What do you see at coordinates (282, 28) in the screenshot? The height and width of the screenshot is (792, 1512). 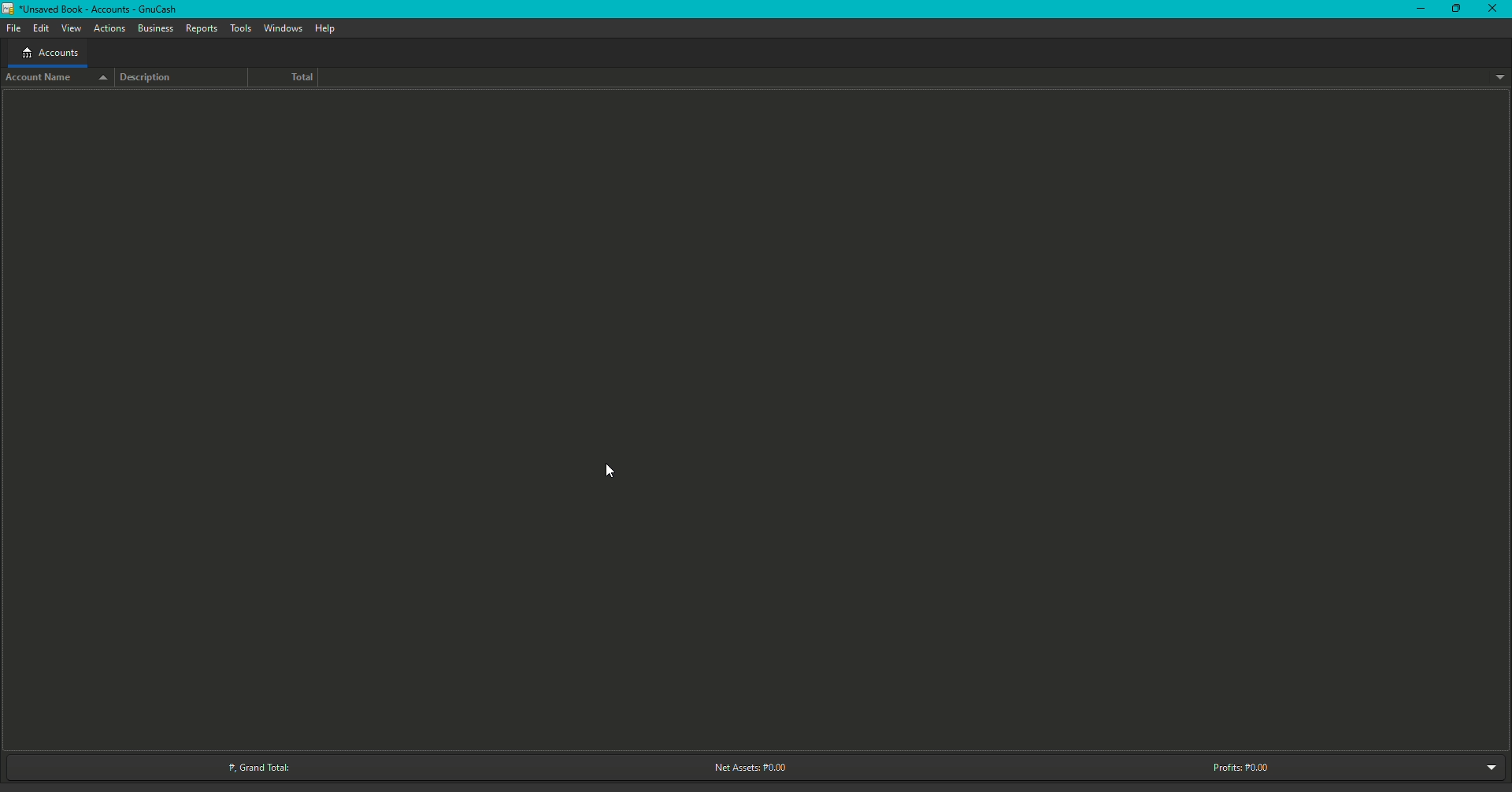 I see `Windows` at bounding box center [282, 28].